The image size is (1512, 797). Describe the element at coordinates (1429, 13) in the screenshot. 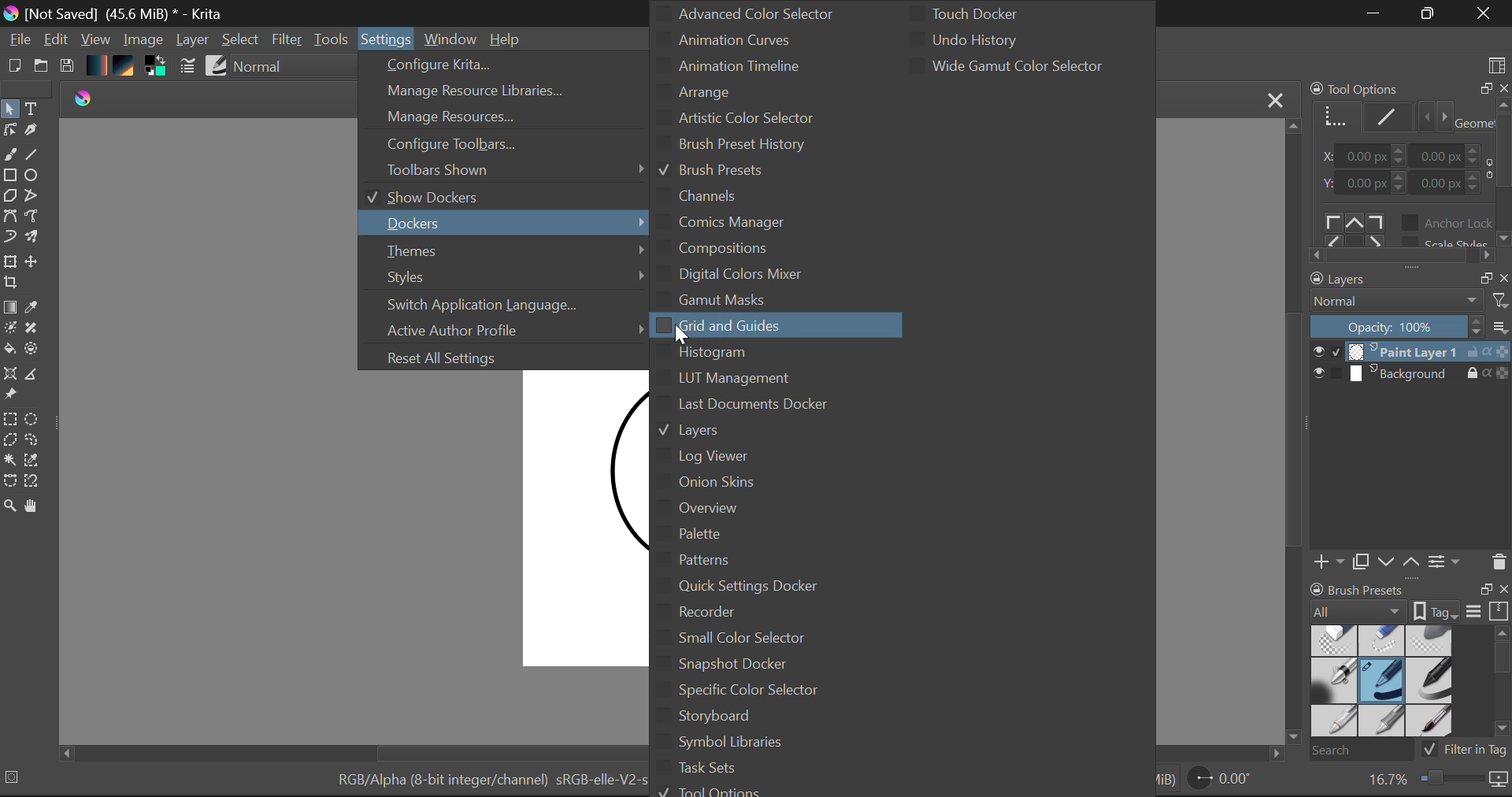

I see `Minimize` at that location.